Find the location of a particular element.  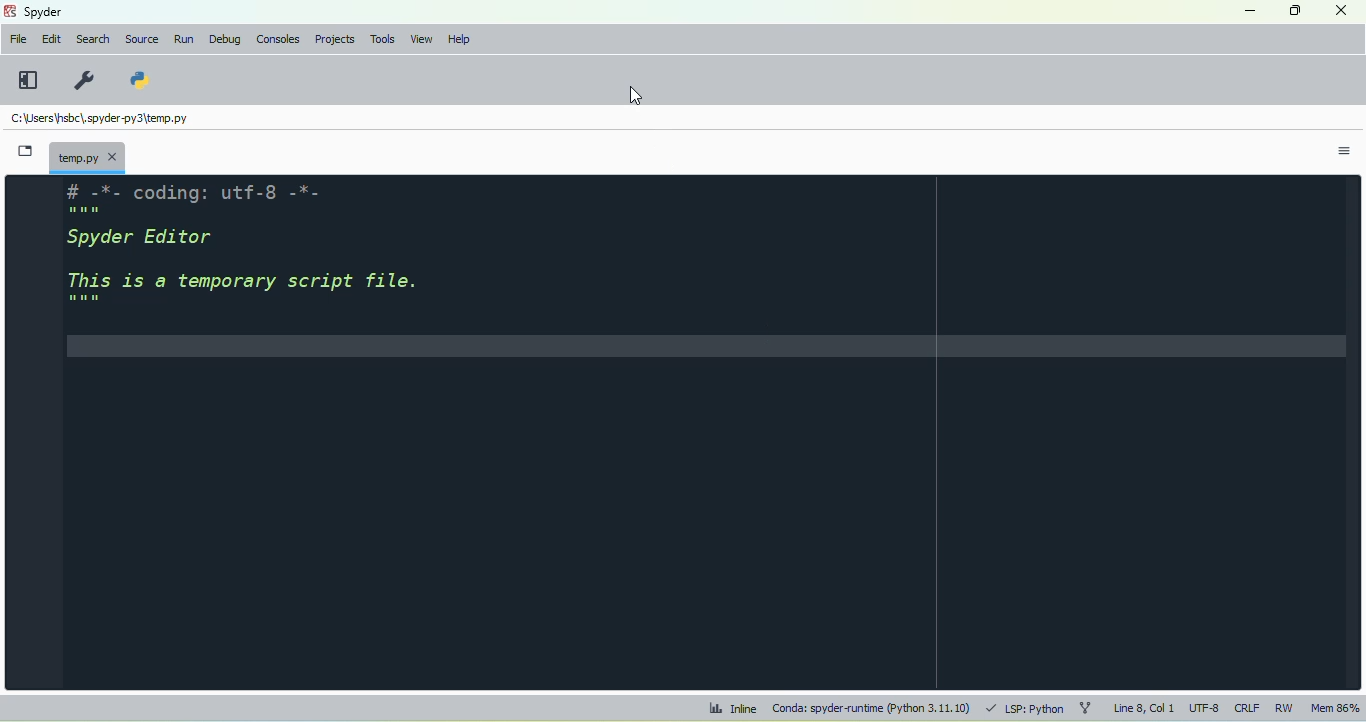

run is located at coordinates (184, 40).